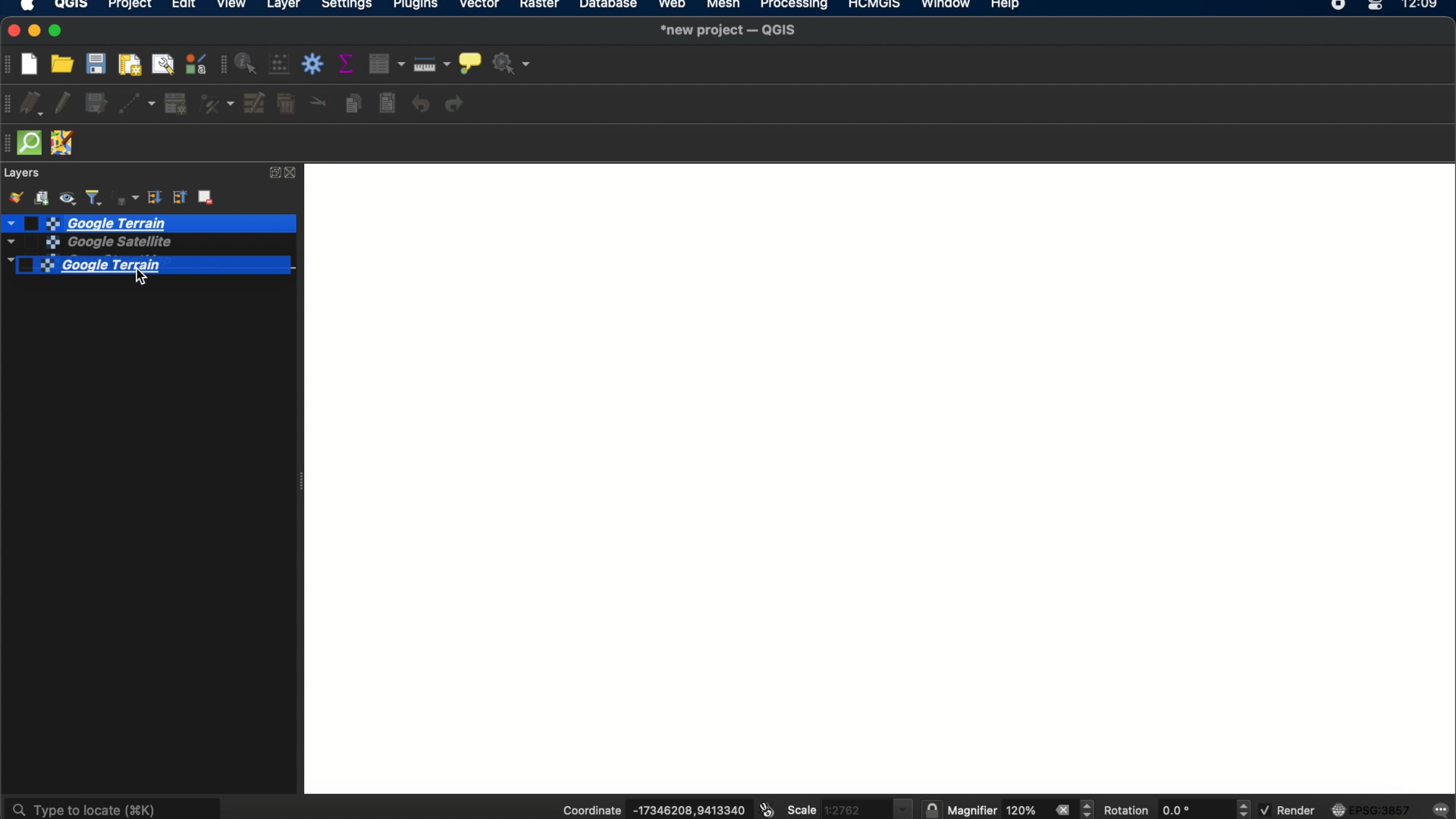 The width and height of the screenshot is (1456, 819). Describe the element at coordinates (730, 31) in the screenshot. I see `*new project-QGIS` at that location.